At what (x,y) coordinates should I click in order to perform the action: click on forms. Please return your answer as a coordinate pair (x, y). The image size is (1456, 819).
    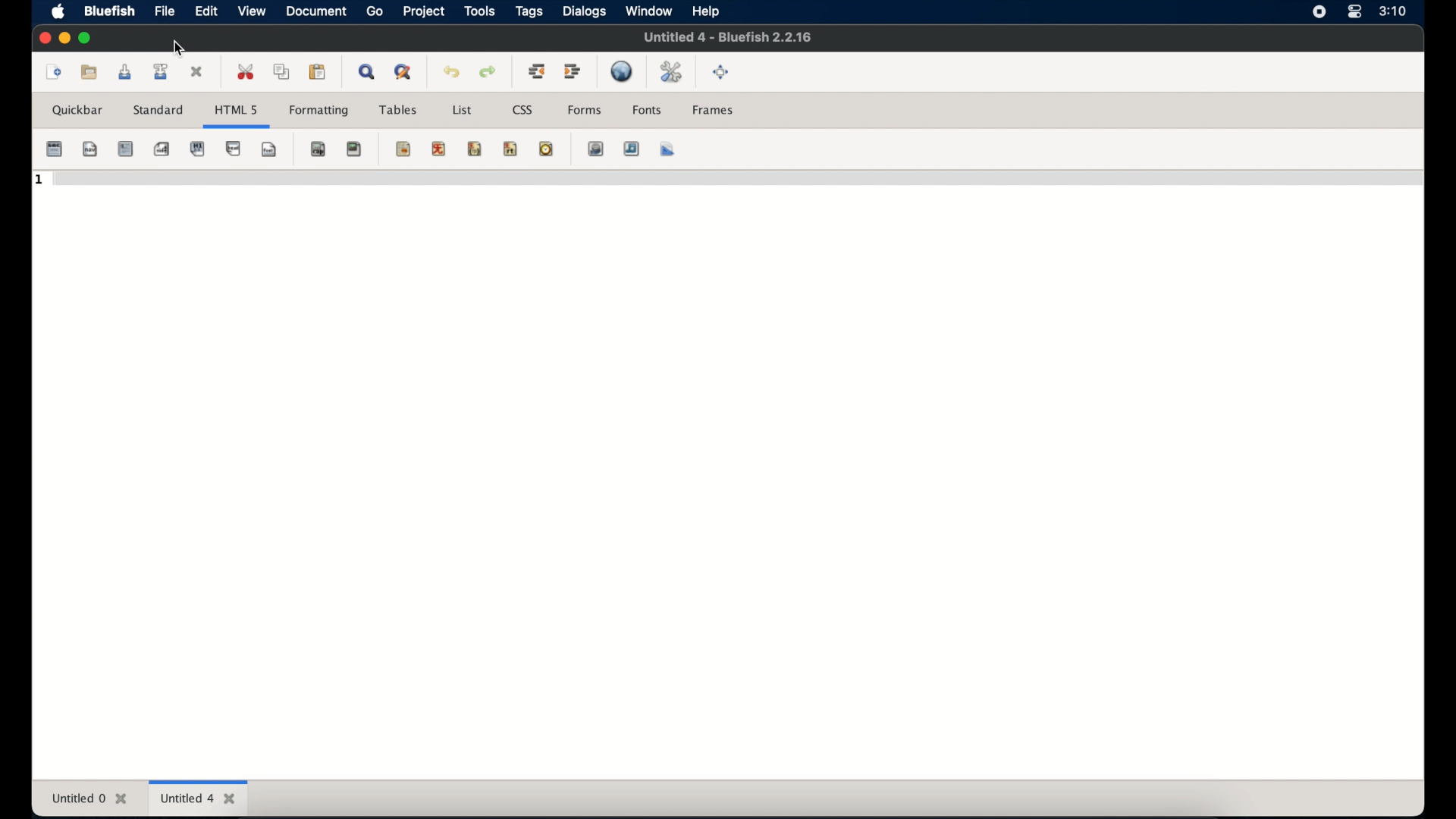
    Looking at the image, I should click on (584, 110).